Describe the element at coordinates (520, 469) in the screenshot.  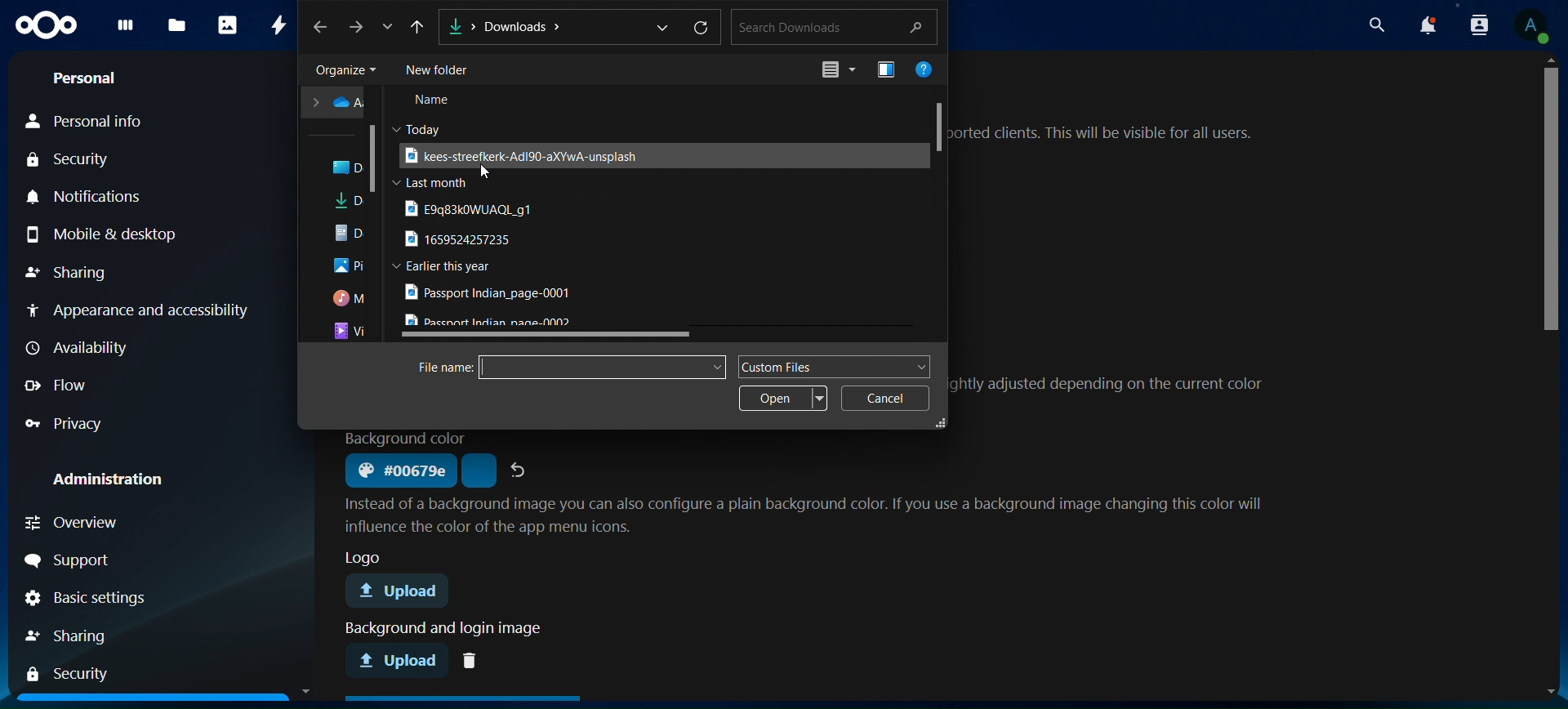
I see `refresh` at that location.